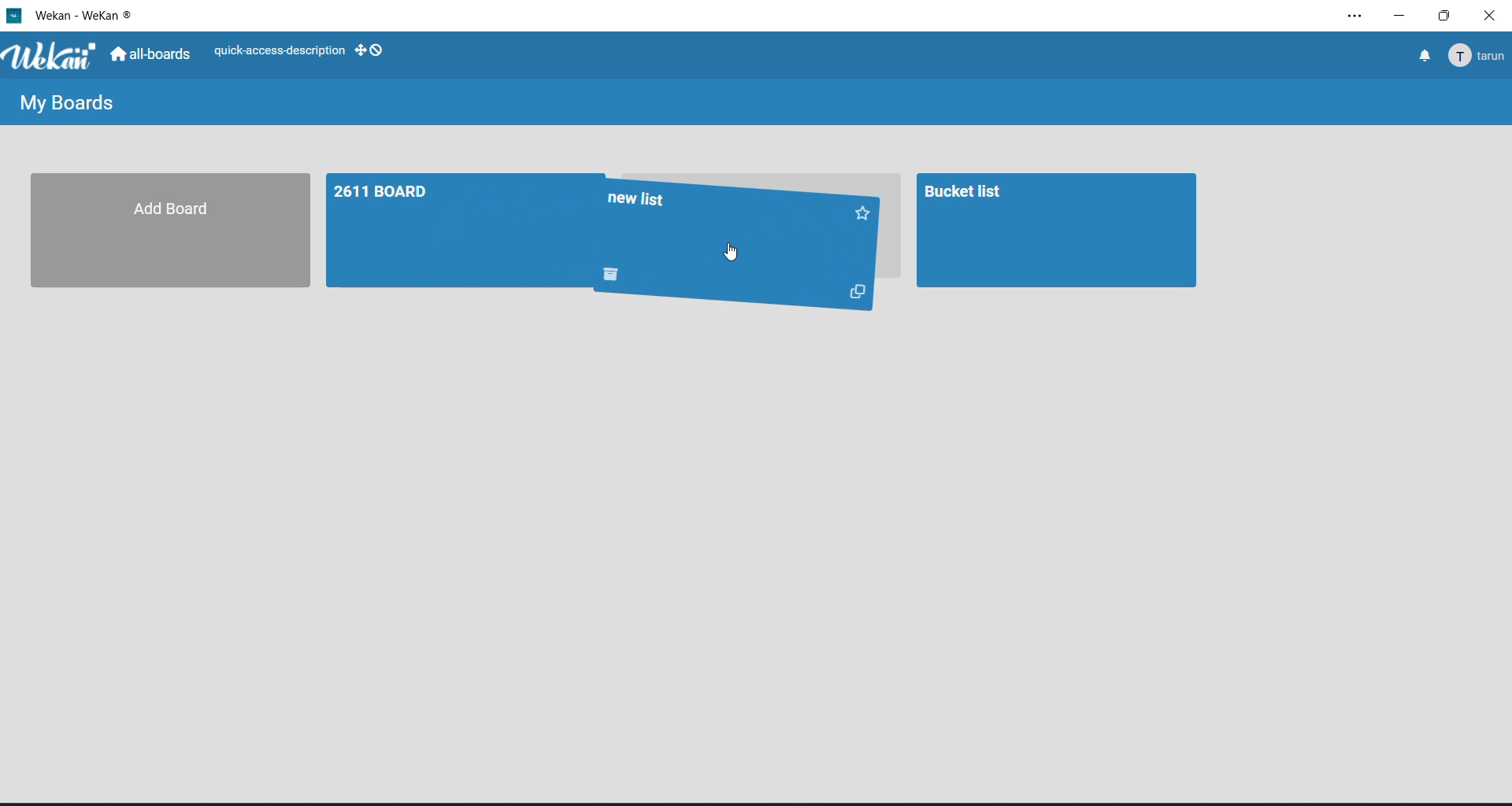  I want to click on show desktop drag handles, so click(369, 50).